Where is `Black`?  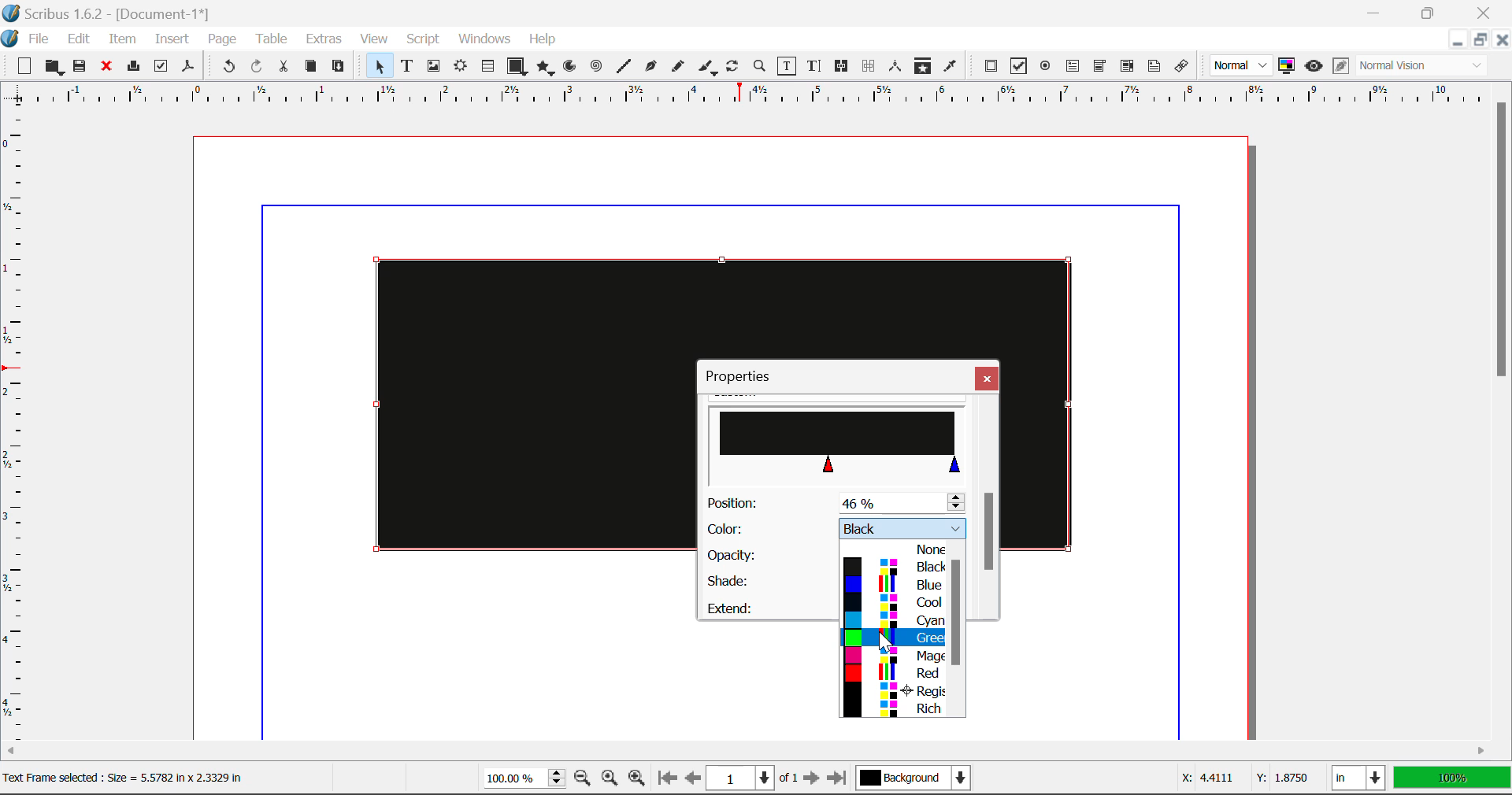 Black is located at coordinates (892, 568).